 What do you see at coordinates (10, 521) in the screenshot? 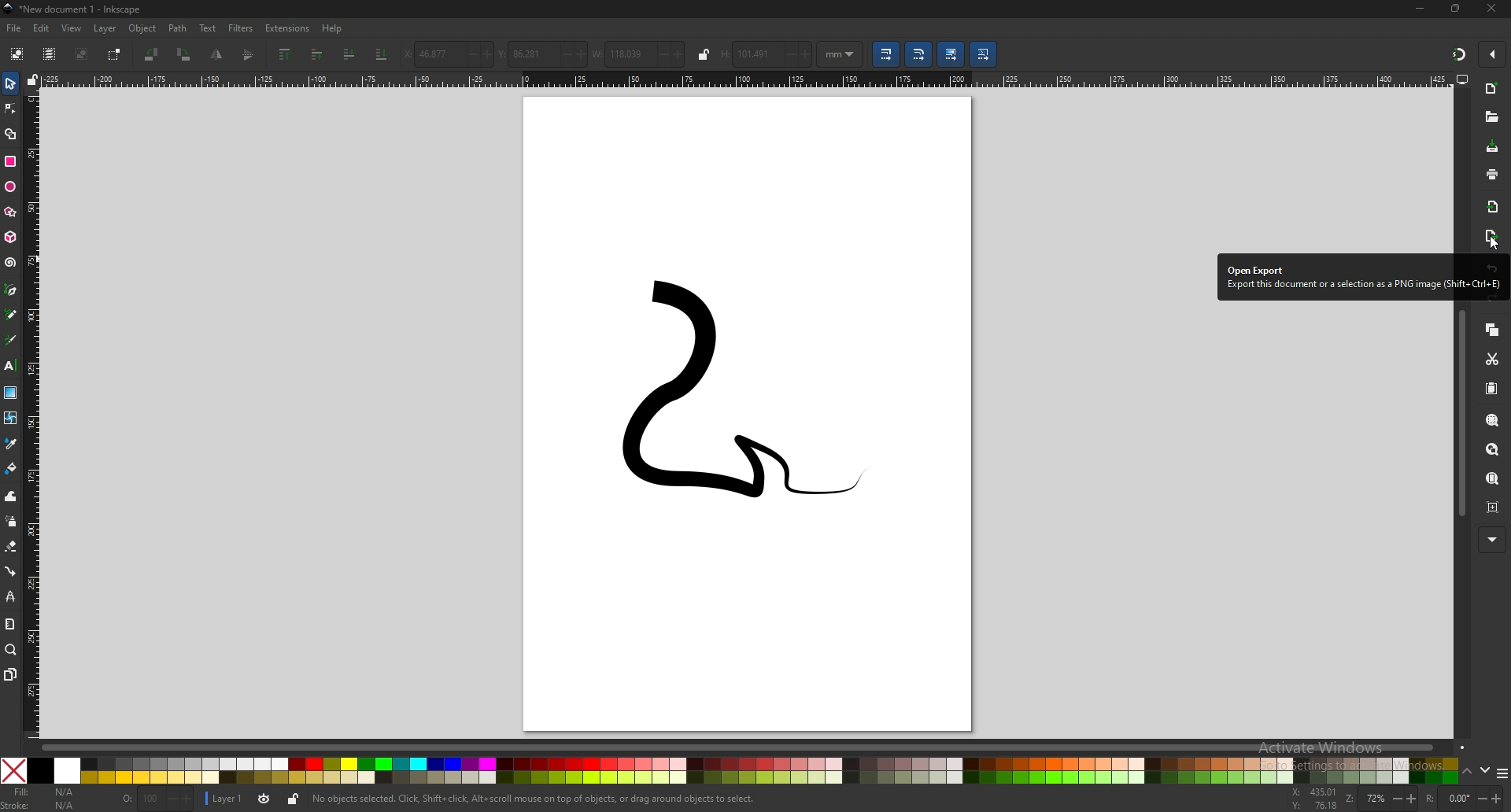
I see `spray` at bounding box center [10, 521].